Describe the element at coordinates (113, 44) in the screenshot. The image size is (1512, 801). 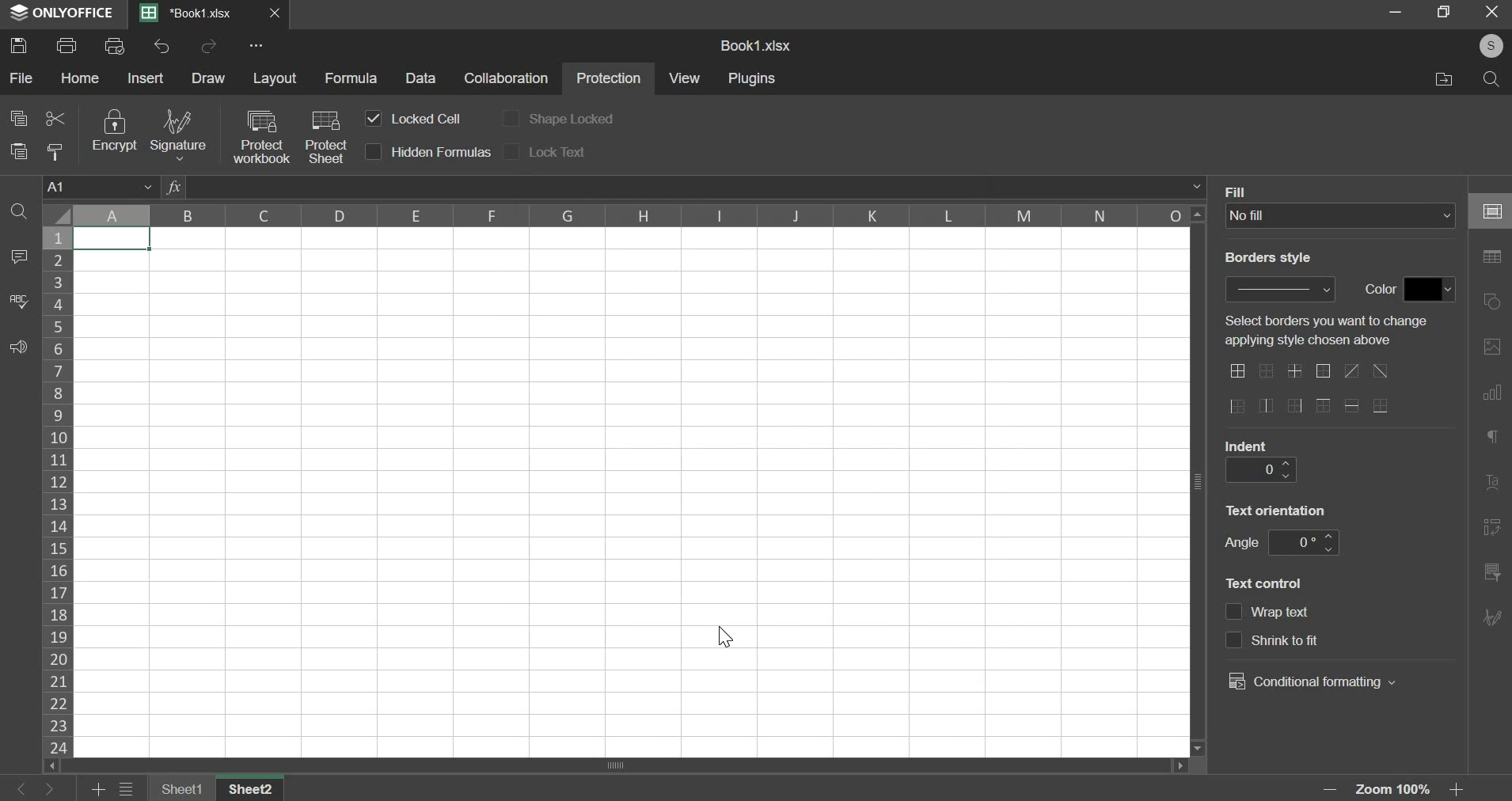
I see `print preview` at that location.